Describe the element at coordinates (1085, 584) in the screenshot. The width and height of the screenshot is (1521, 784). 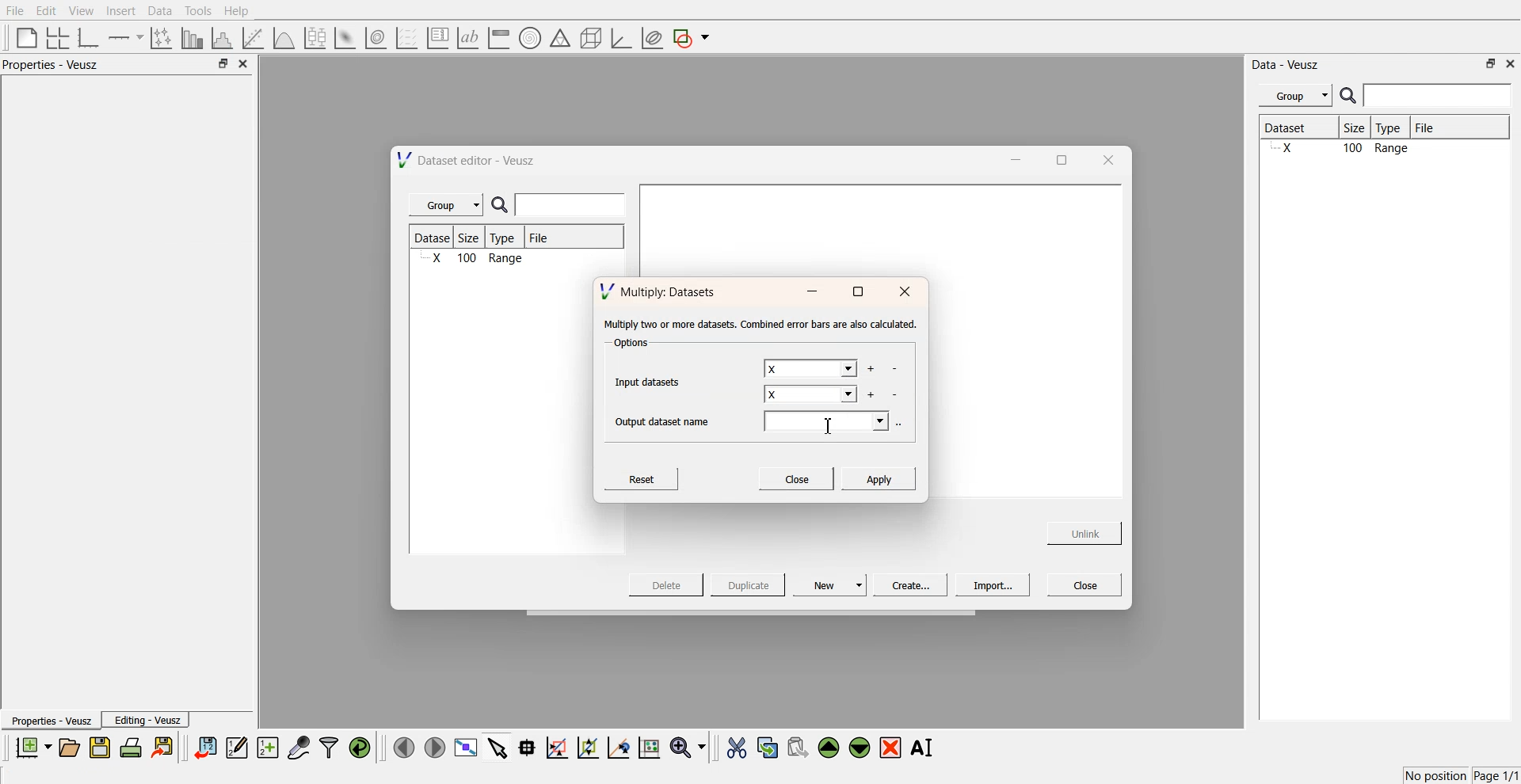
I see `Close` at that location.